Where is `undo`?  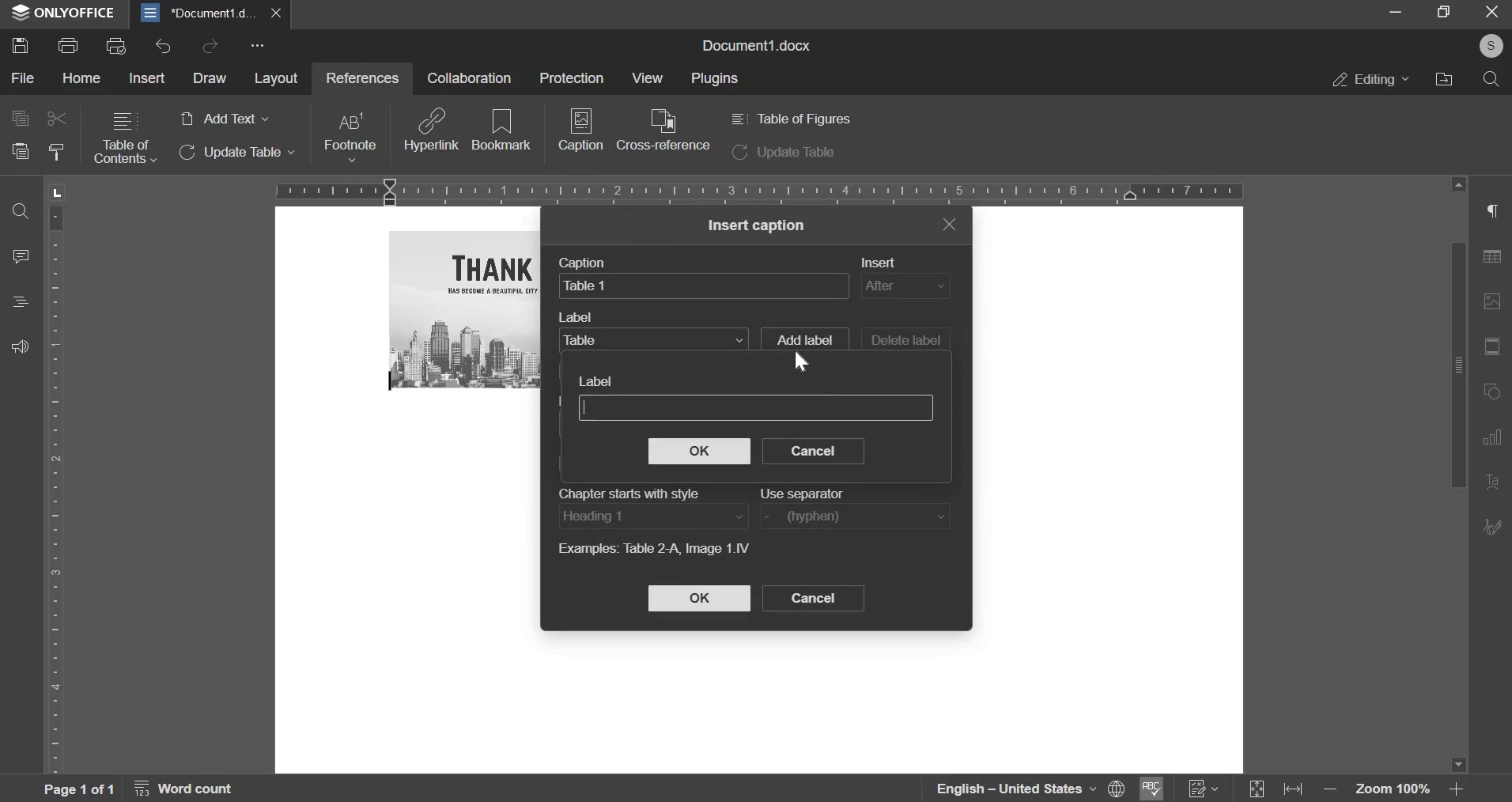 undo is located at coordinates (163, 47).